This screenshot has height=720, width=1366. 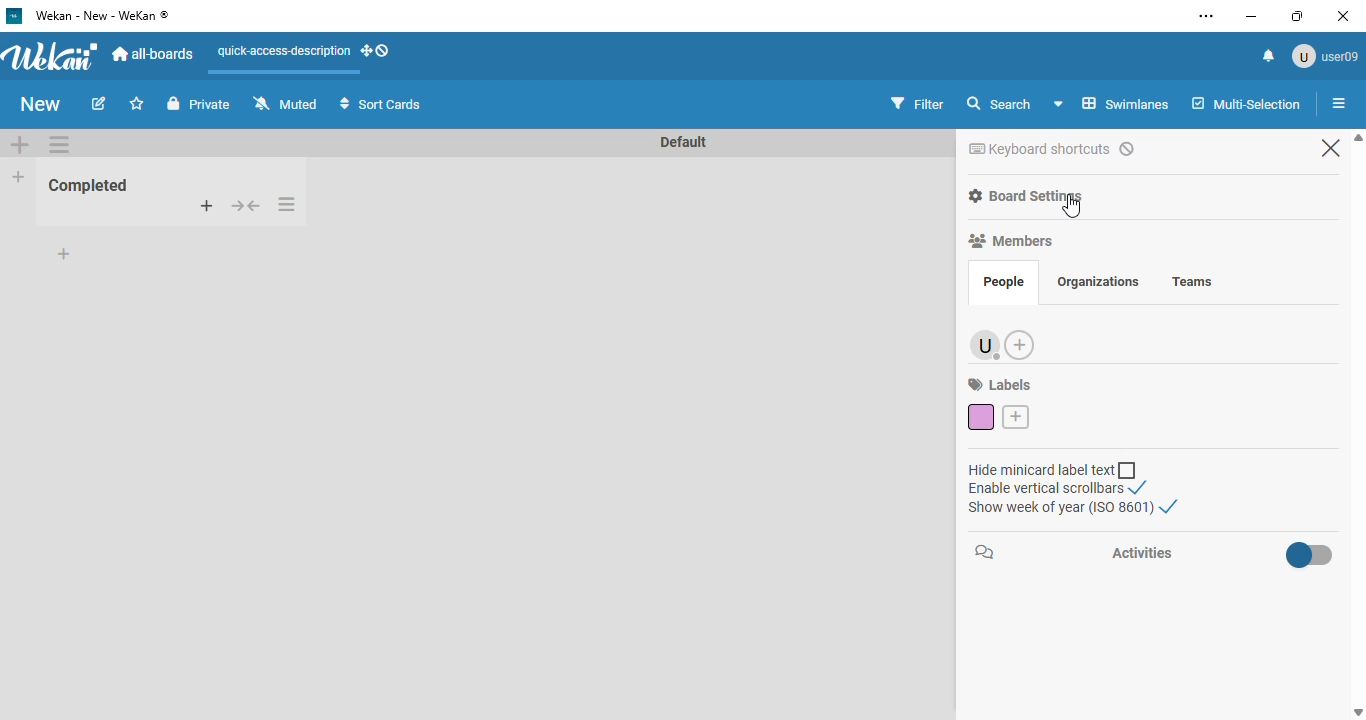 What do you see at coordinates (1012, 240) in the screenshot?
I see `members` at bounding box center [1012, 240].